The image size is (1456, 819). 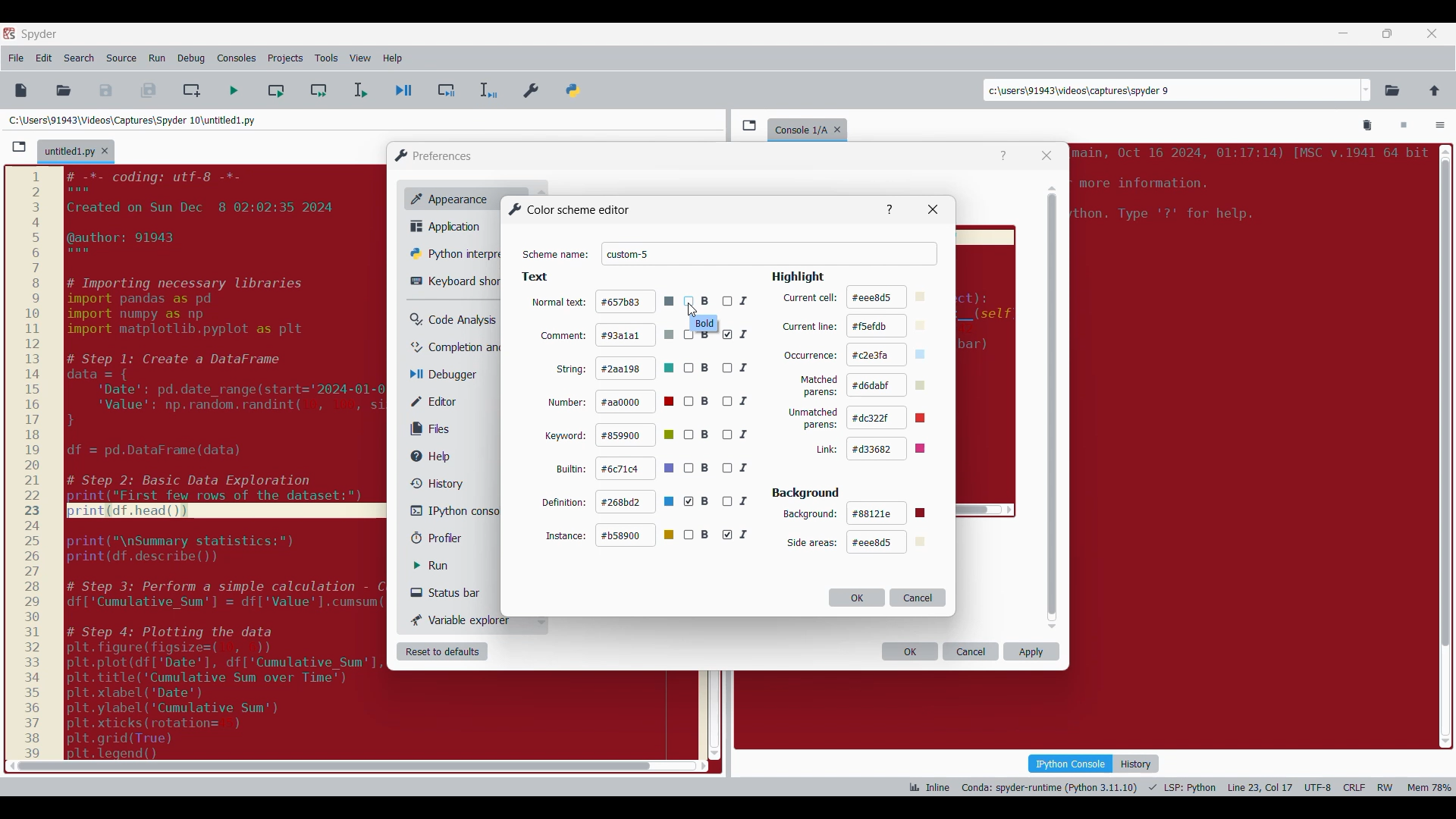 I want to click on Help, so click(x=1003, y=156).